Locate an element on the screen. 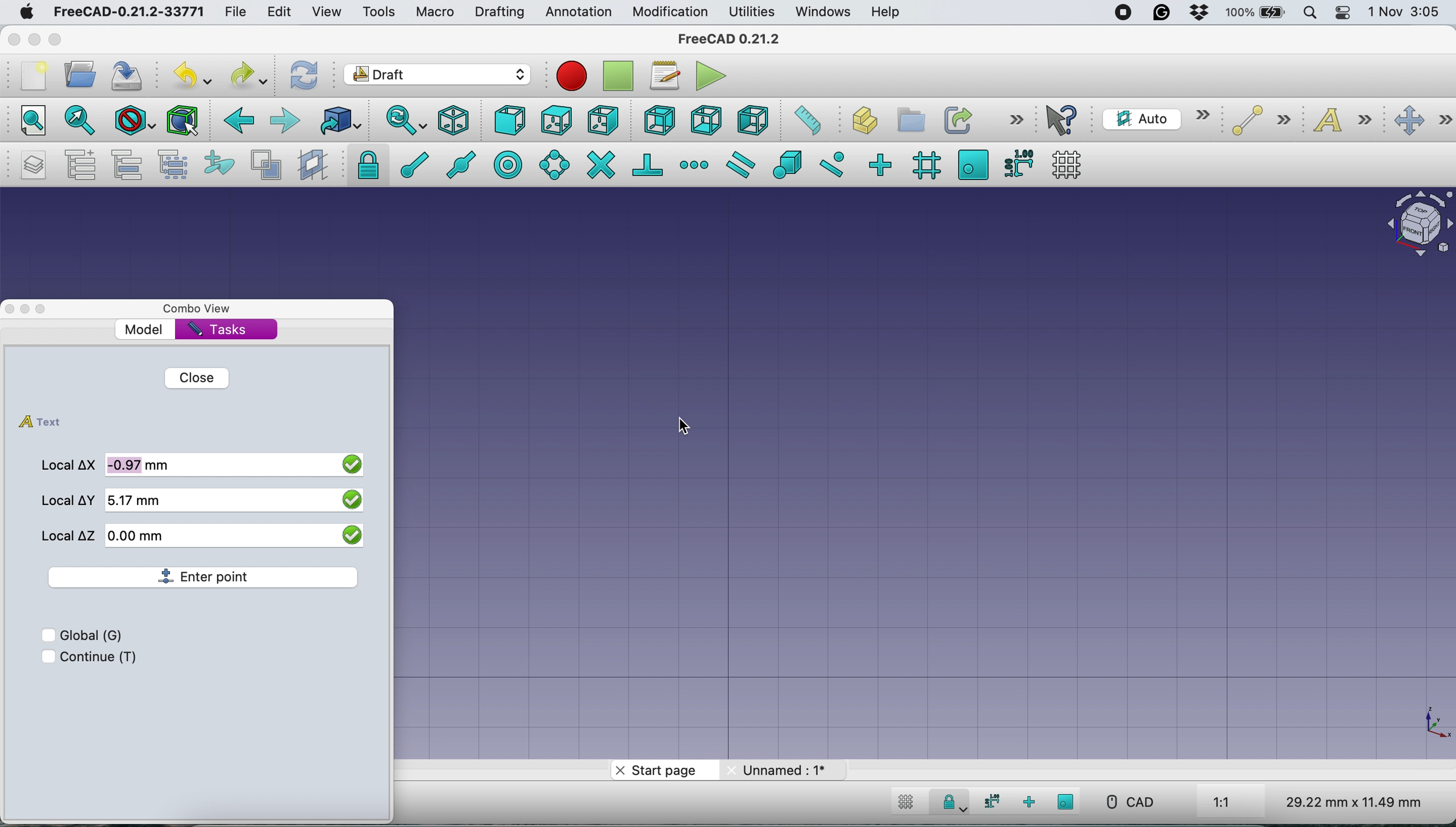 The height and width of the screenshot is (827, 1456). continue is located at coordinates (103, 656).